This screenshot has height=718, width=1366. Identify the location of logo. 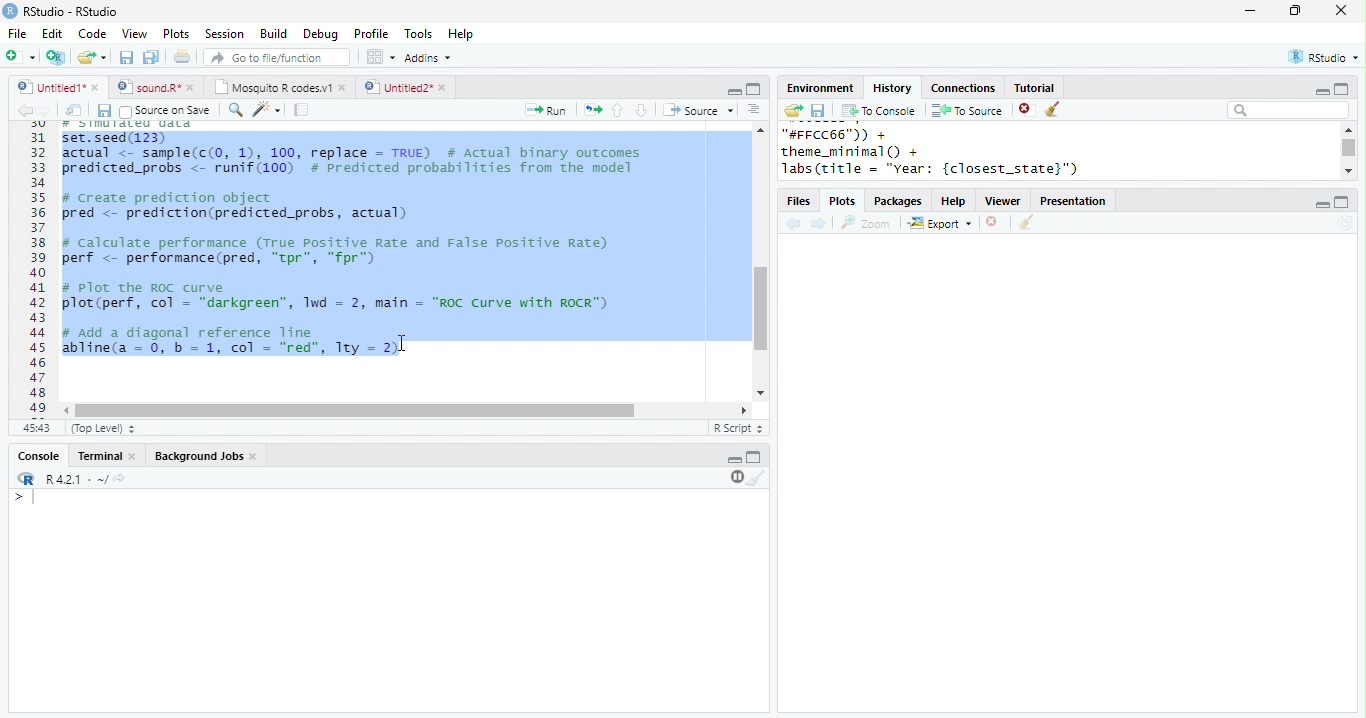
(10, 10).